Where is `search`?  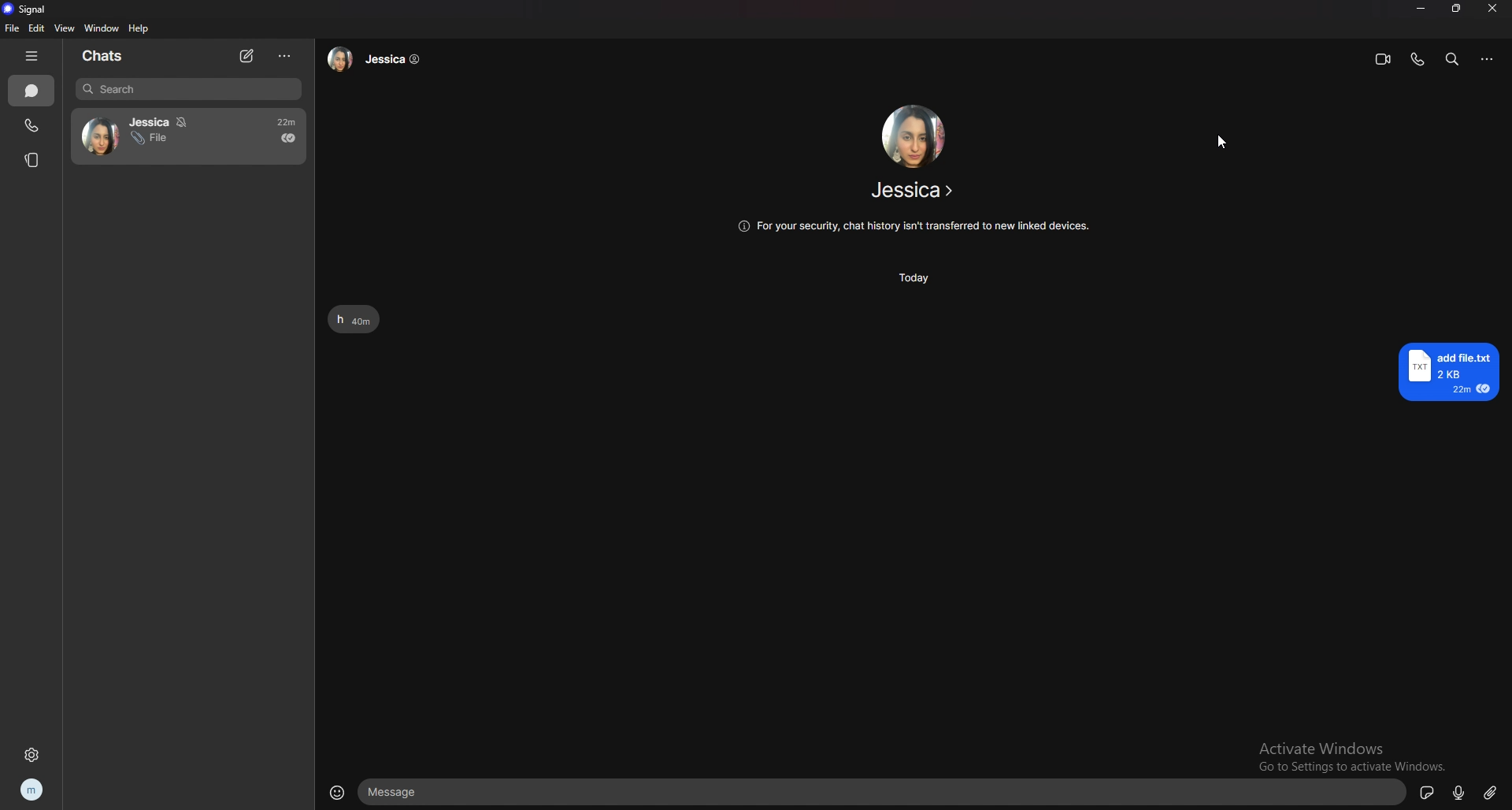 search is located at coordinates (1454, 60).